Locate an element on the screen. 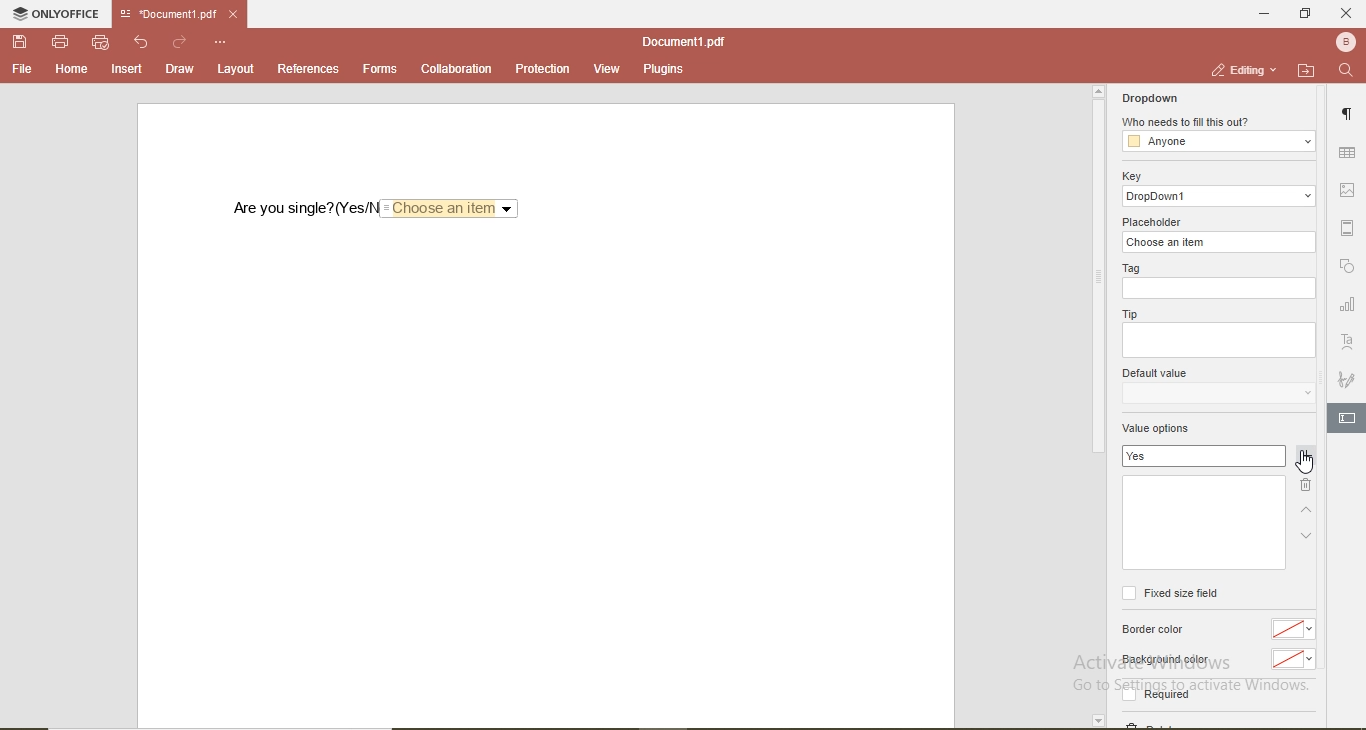  insert is located at coordinates (127, 71).